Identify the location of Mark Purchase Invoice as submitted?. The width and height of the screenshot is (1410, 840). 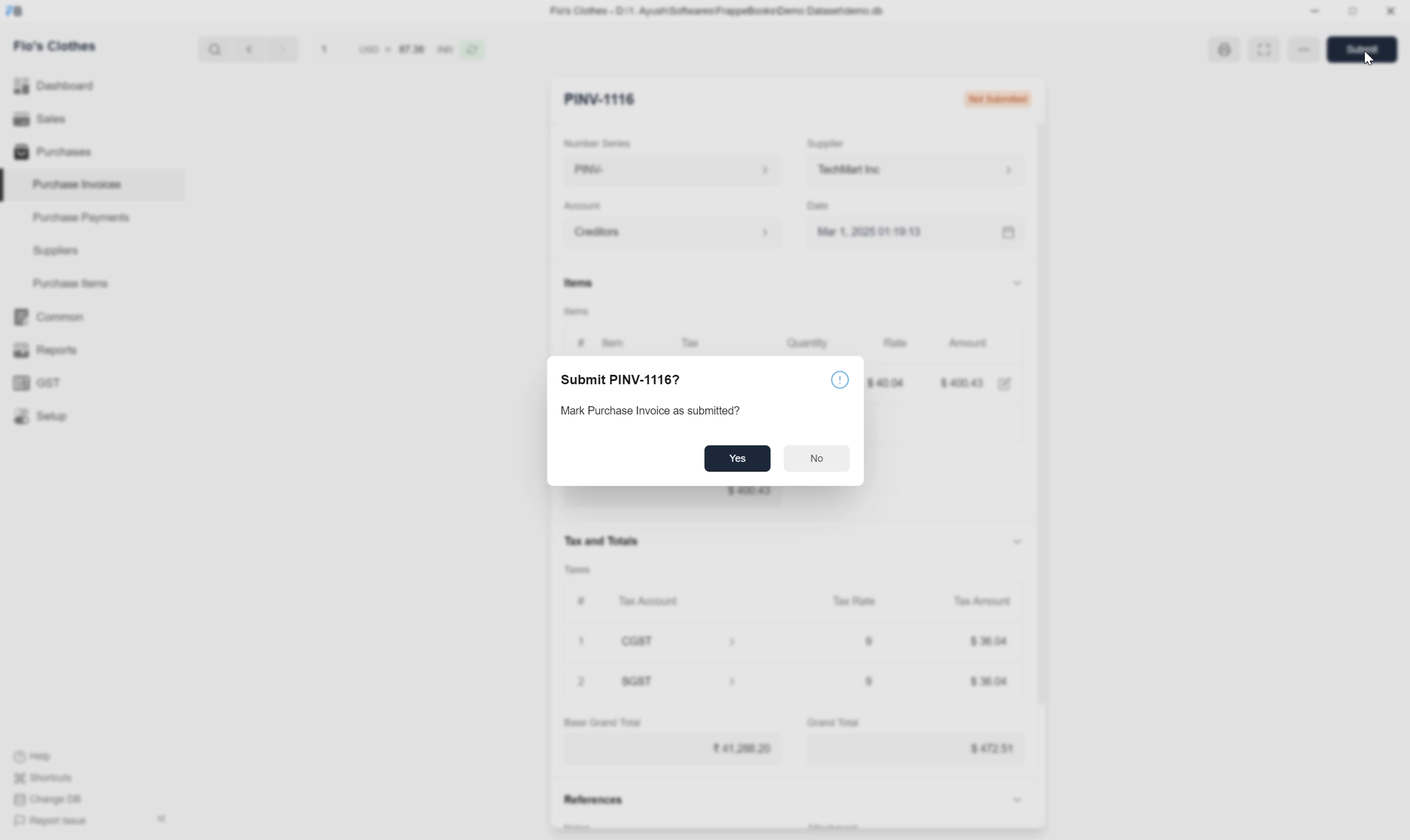
(663, 412).